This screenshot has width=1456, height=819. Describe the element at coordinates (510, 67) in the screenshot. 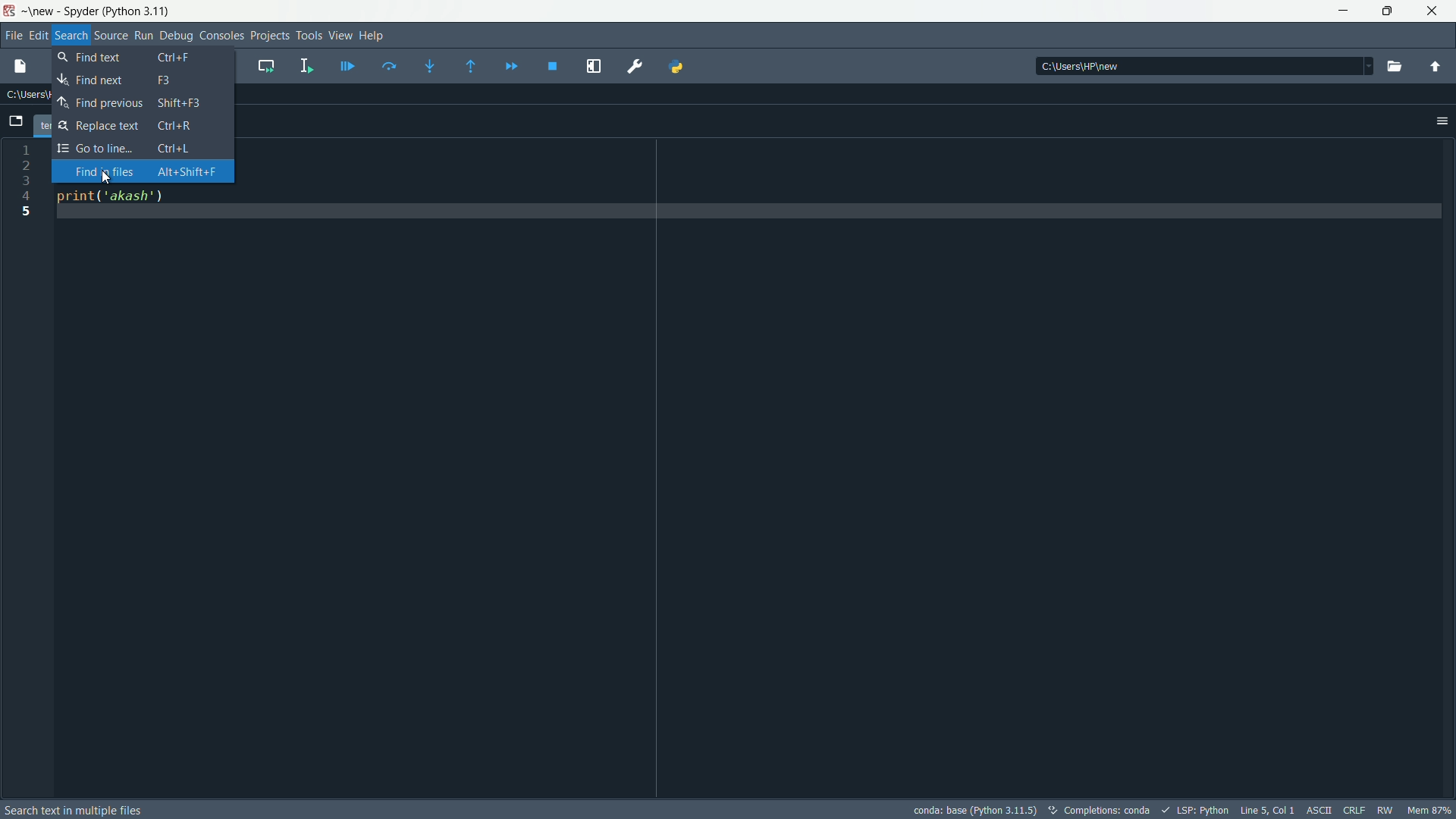

I see `continue execution until next breakpoint` at that location.